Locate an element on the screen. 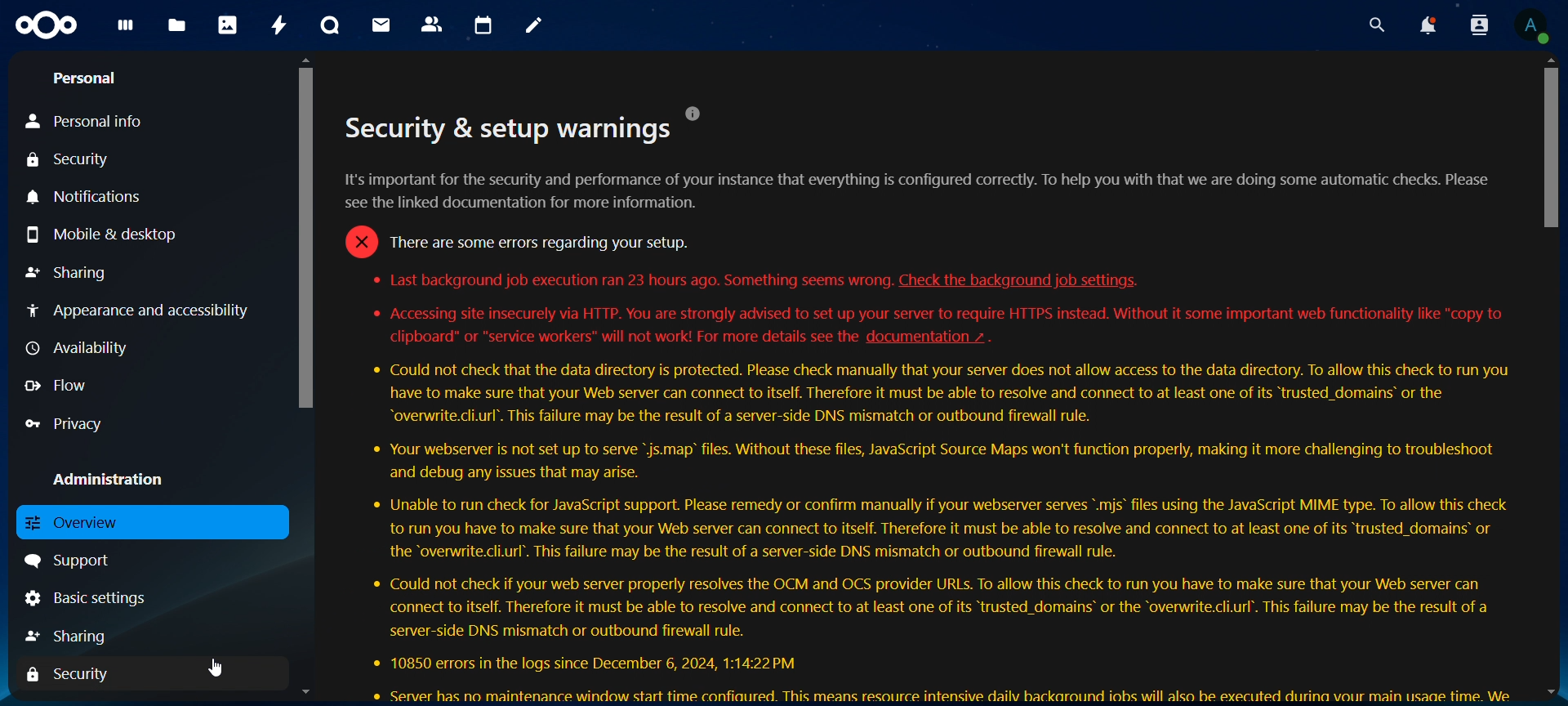  talk is located at coordinates (330, 24).